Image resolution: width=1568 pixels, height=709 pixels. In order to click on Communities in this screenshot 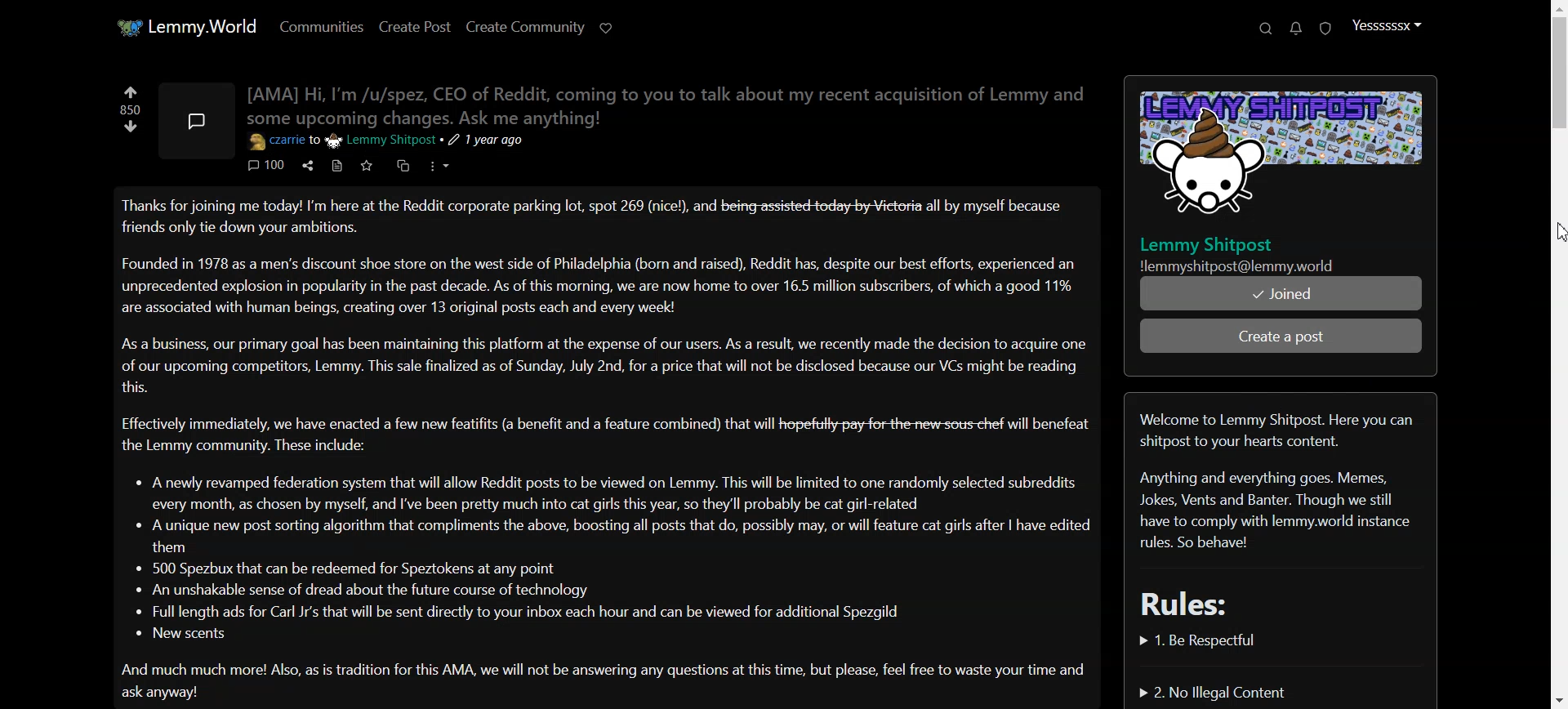, I will do `click(319, 27)`.